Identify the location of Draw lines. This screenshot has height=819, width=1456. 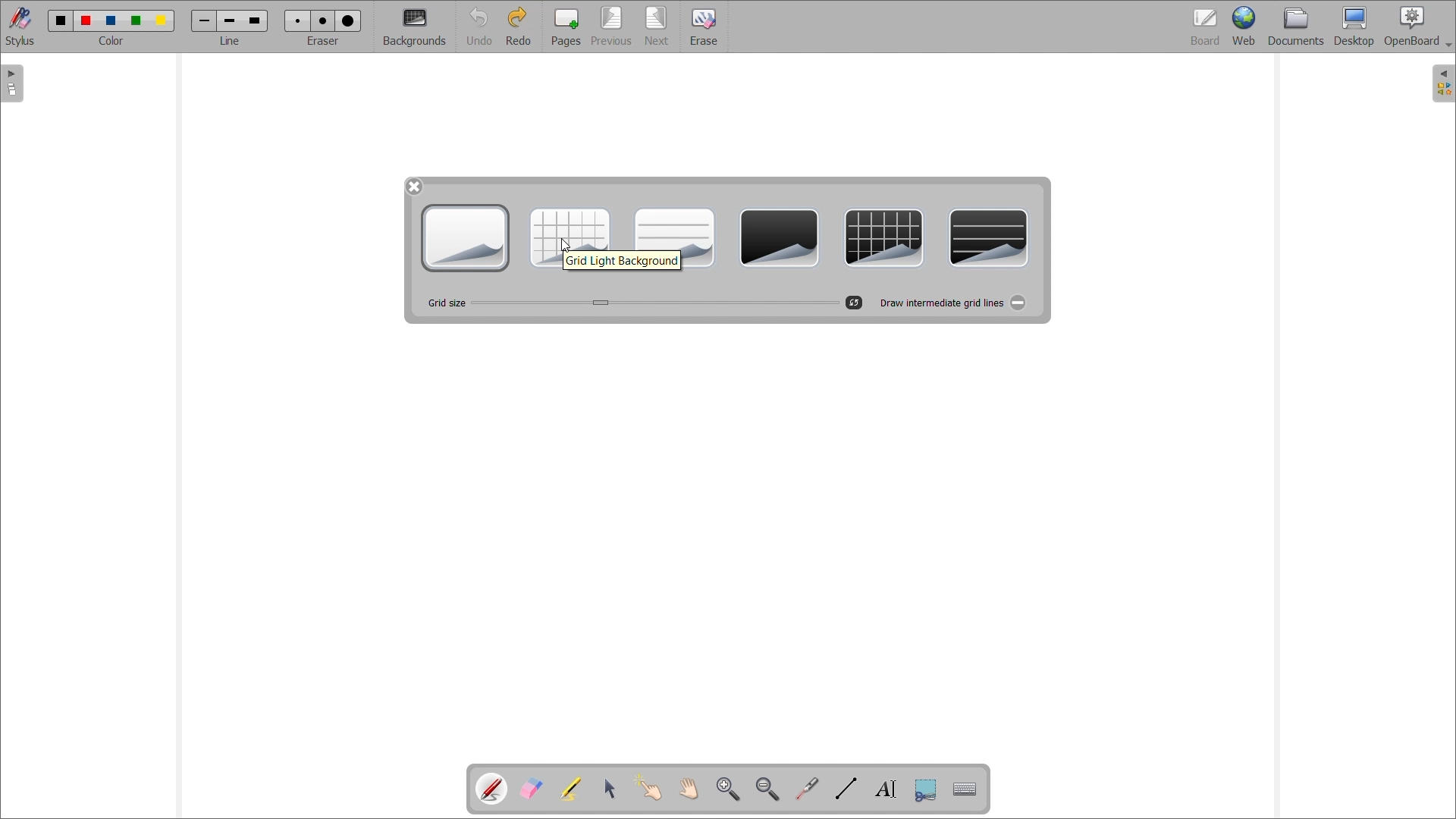
(846, 788).